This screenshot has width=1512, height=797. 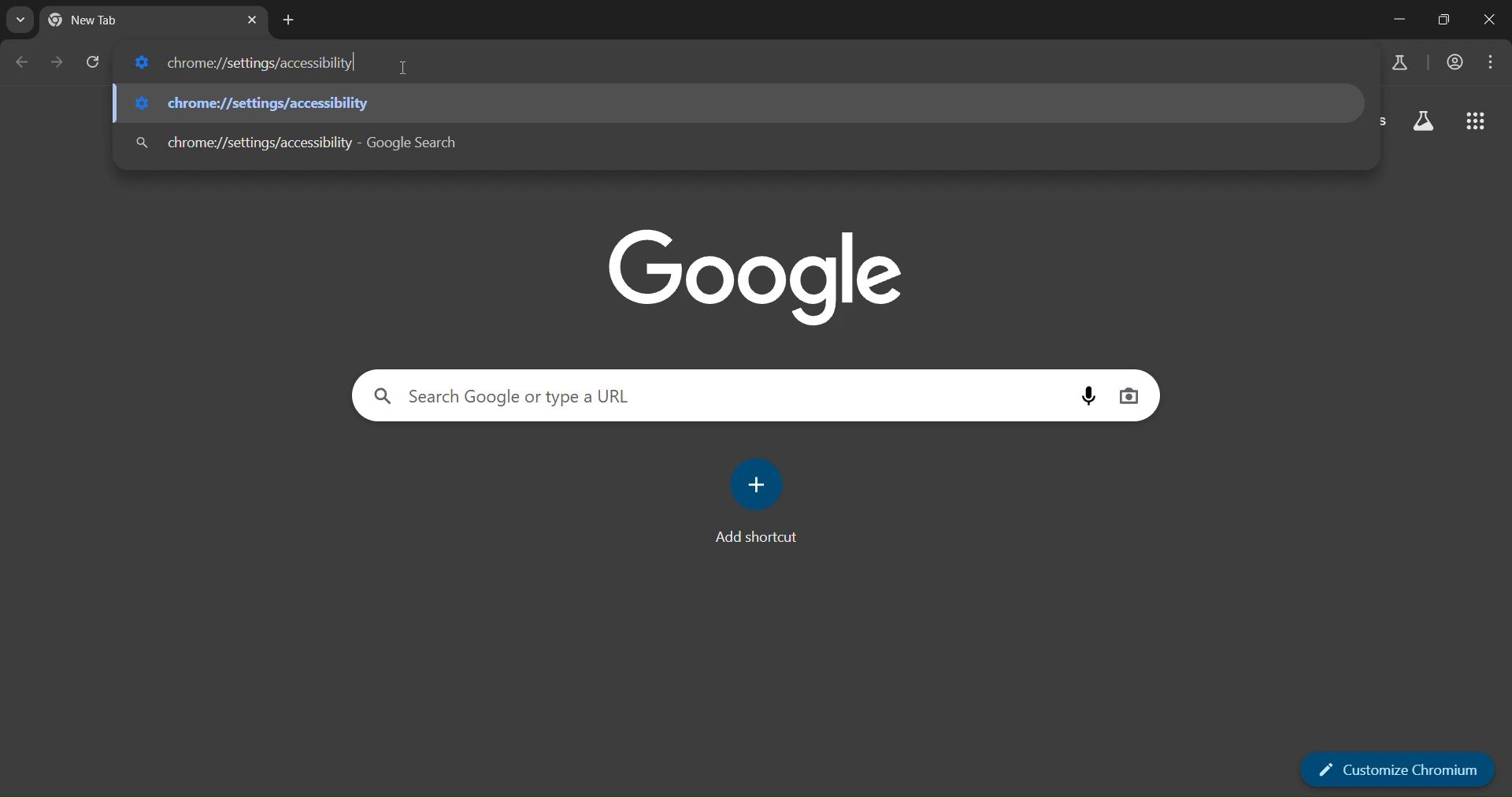 I want to click on reload page, so click(x=91, y=62).